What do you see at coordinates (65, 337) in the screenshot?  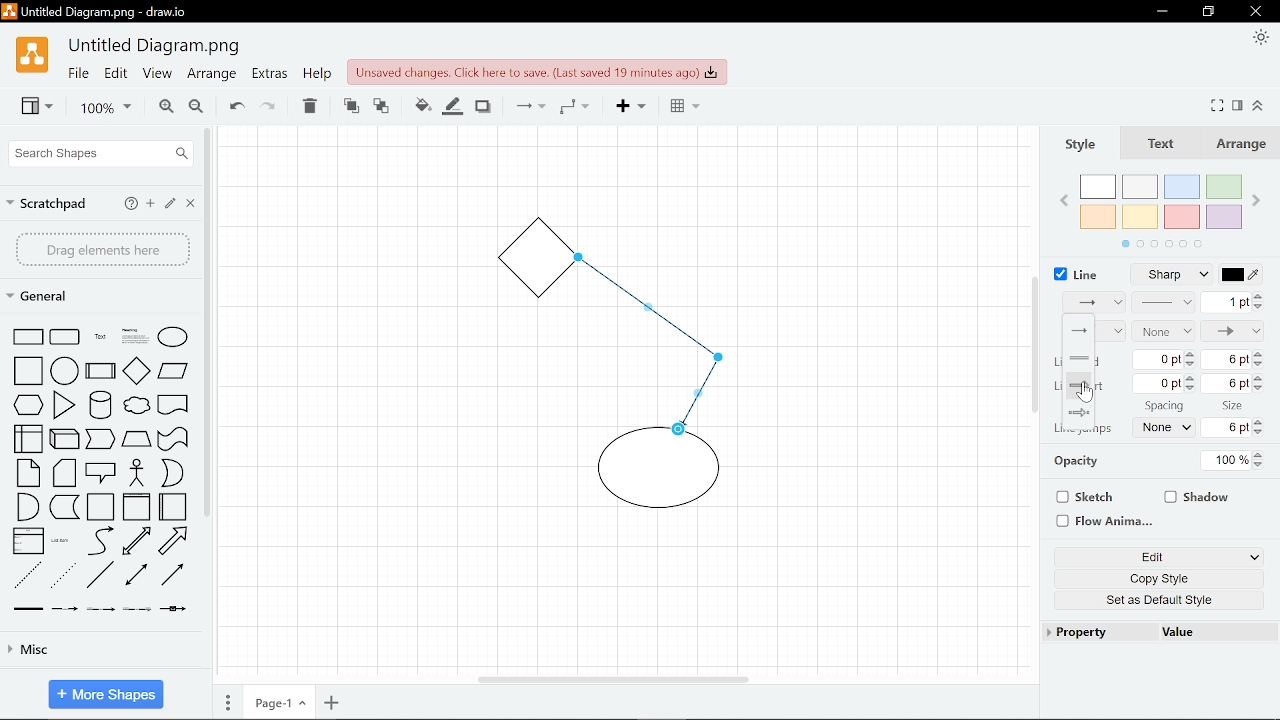 I see `shape` at bounding box center [65, 337].